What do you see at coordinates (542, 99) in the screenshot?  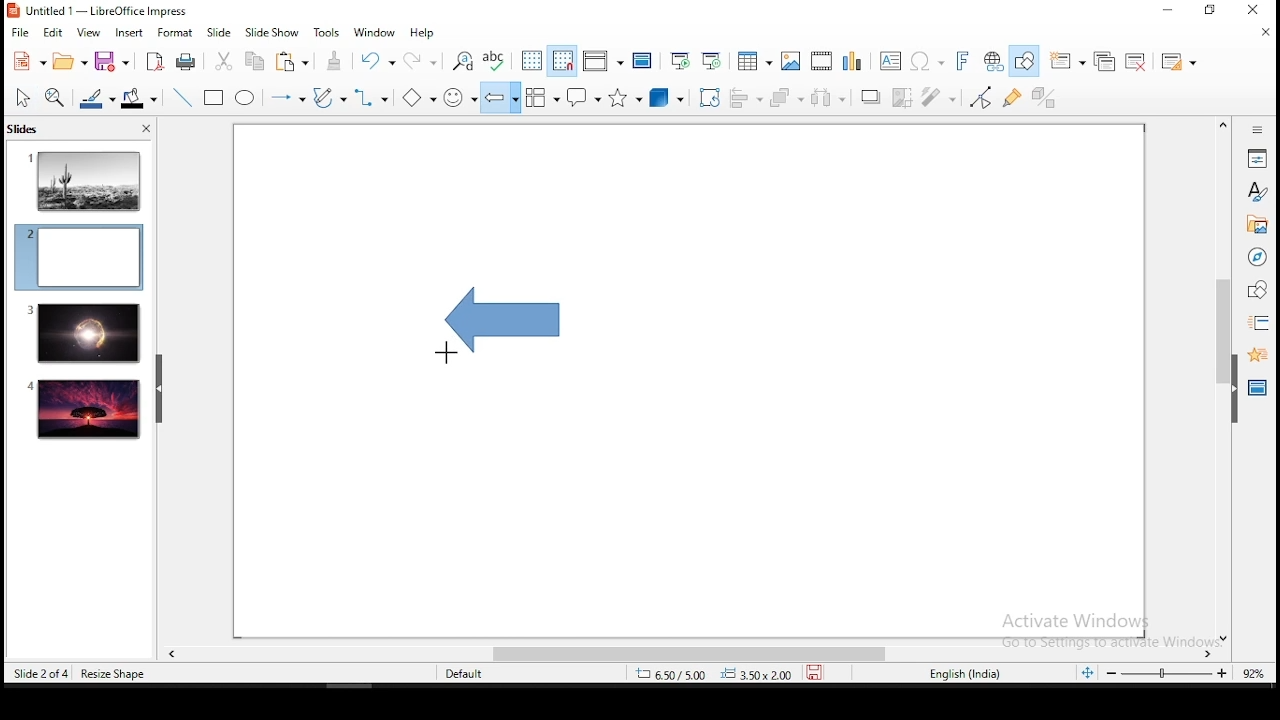 I see `flowchart` at bounding box center [542, 99].